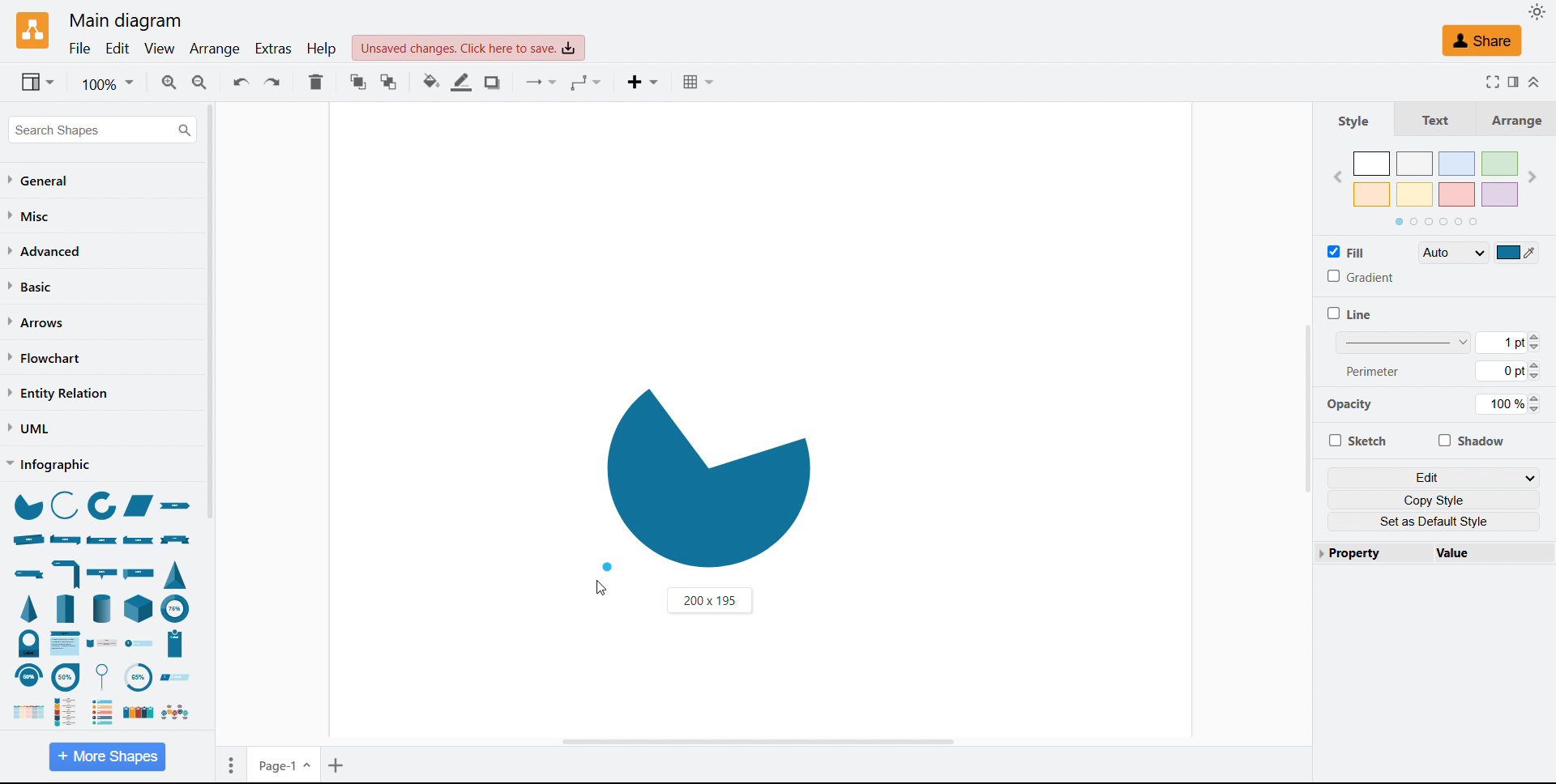 The width and height of the screenshot is (1556, 784). I want to click on Set line width , so click(1438, 342).